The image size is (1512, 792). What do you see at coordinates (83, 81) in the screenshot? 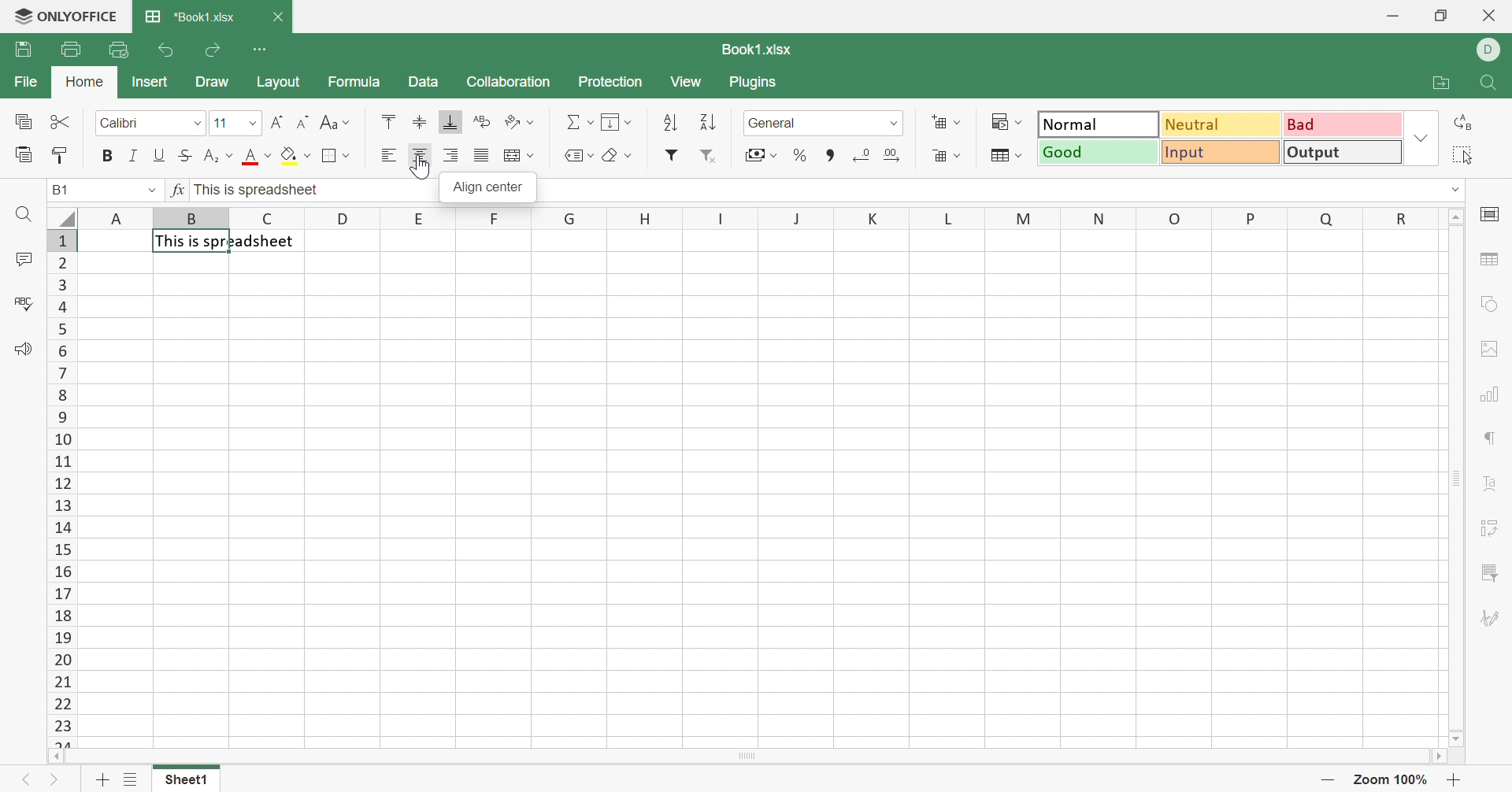
I see `Home` at bounding box center [83, 81].